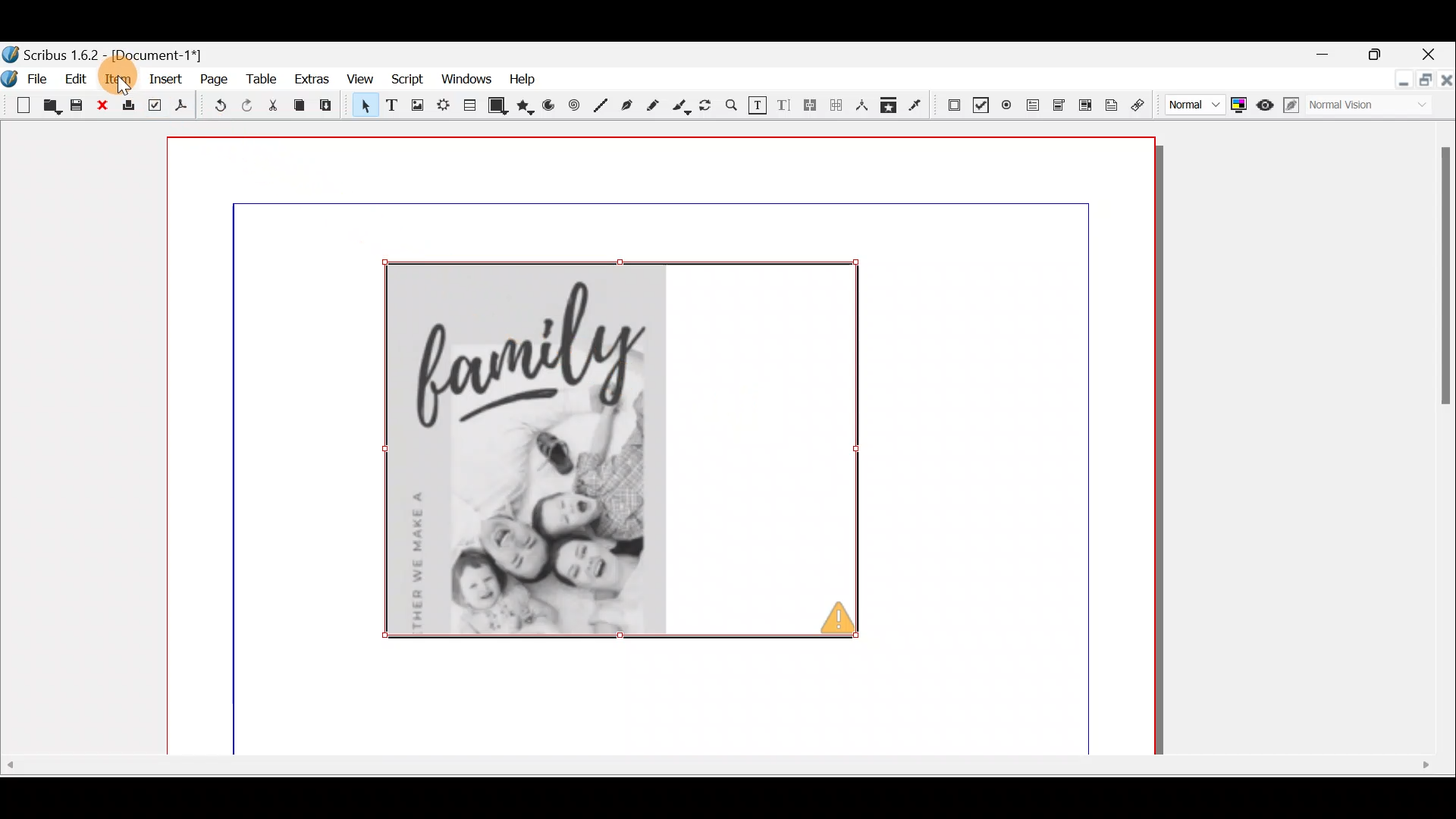  Describe the element at coordinates (254, 106) in the screenshot. I see `Redo` at that location.